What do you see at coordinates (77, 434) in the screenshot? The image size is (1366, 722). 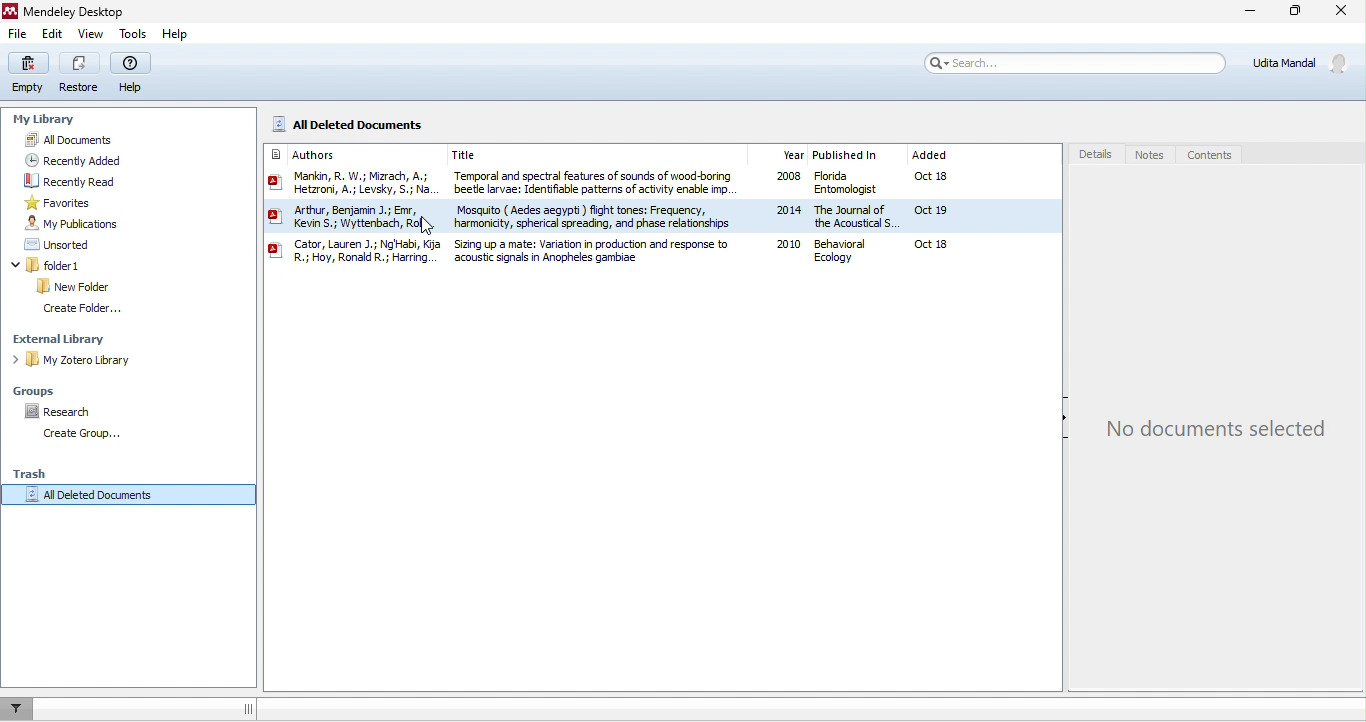 I see `create group` at bounding box center [77, 434].